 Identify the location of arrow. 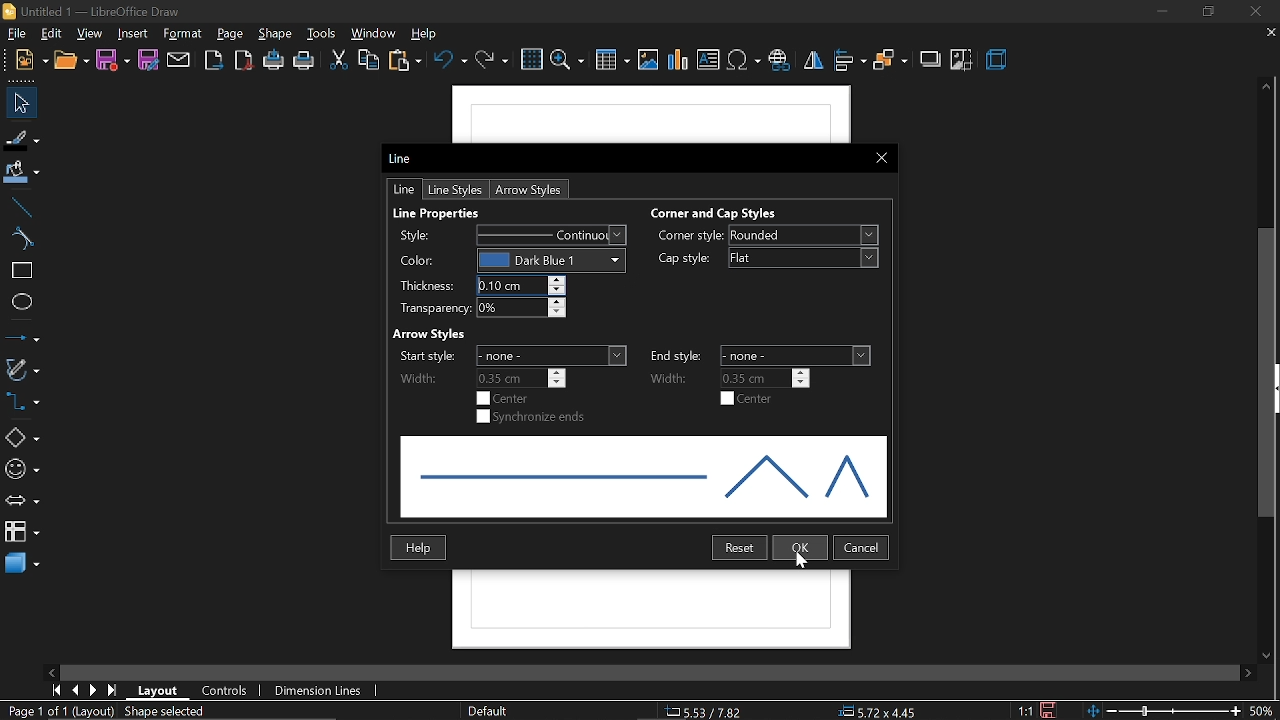
(534, 189).